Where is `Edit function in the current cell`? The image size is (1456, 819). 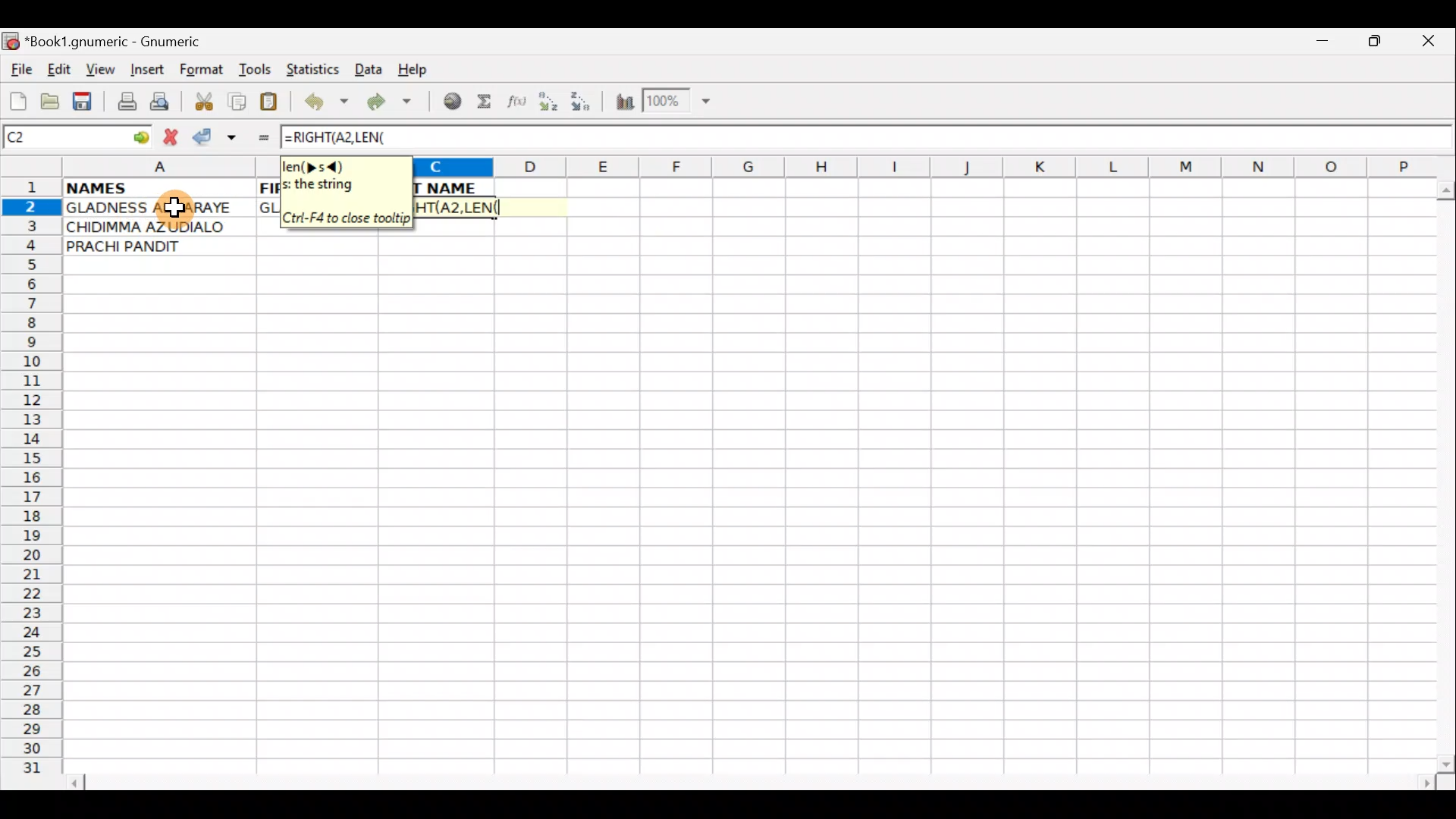 Edit function in the current cell is located at coordinates (519, 105).